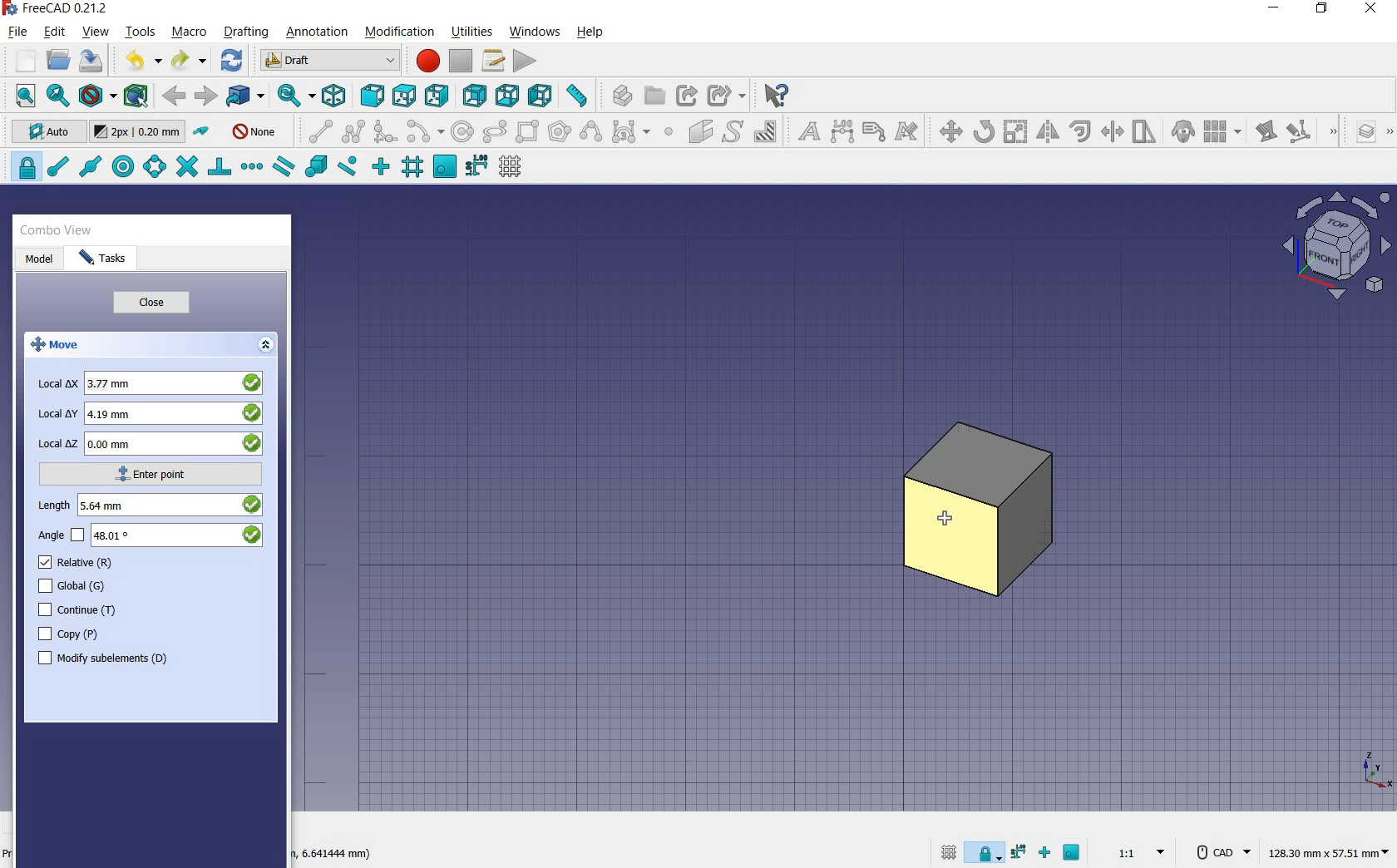 The image size is (1397, 868). What do you see at coordinates (175, 96) in the screenshot?
I see `back` at bounding box center [175, 96].